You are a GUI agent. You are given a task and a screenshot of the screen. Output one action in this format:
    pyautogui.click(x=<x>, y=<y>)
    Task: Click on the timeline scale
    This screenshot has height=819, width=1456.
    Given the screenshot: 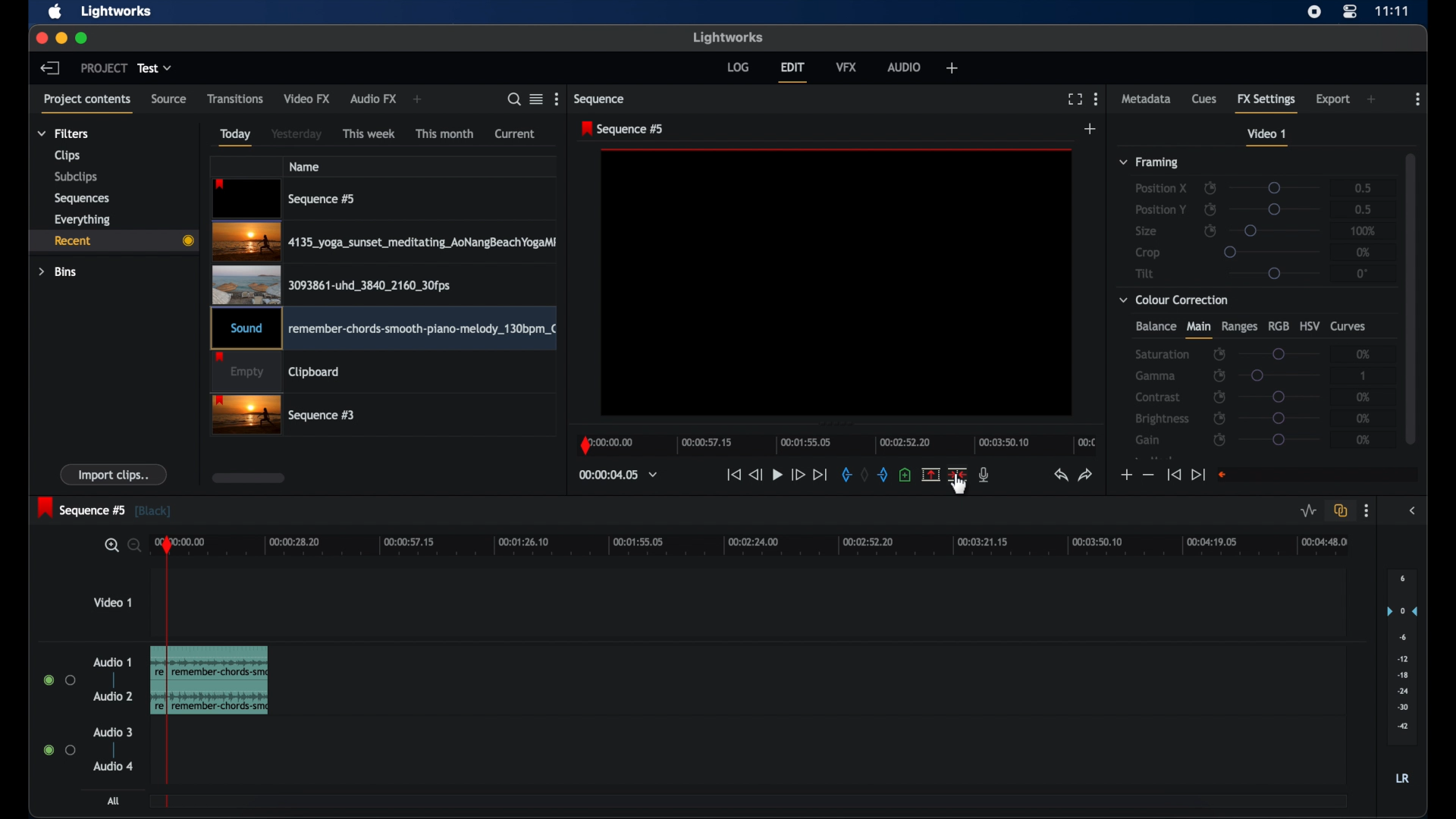 What is the action you would take?
    pyautogui.click(x=761, y=547)
    